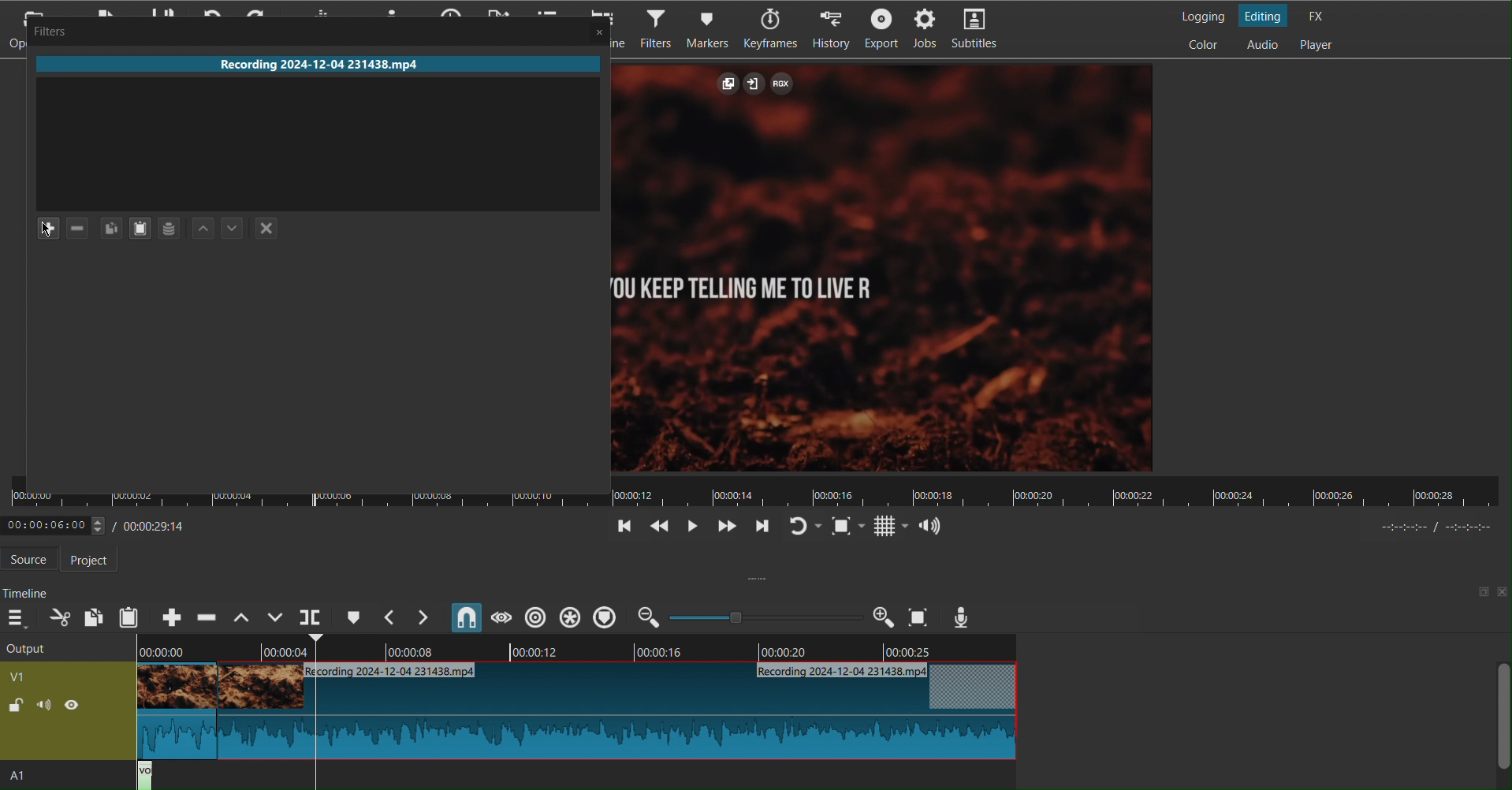 The height and width of the screenshot is (790, 1512). What do you see at coordinates (173, 617) in the screenshot?
I see `Append` at bounding box center [173, 617].